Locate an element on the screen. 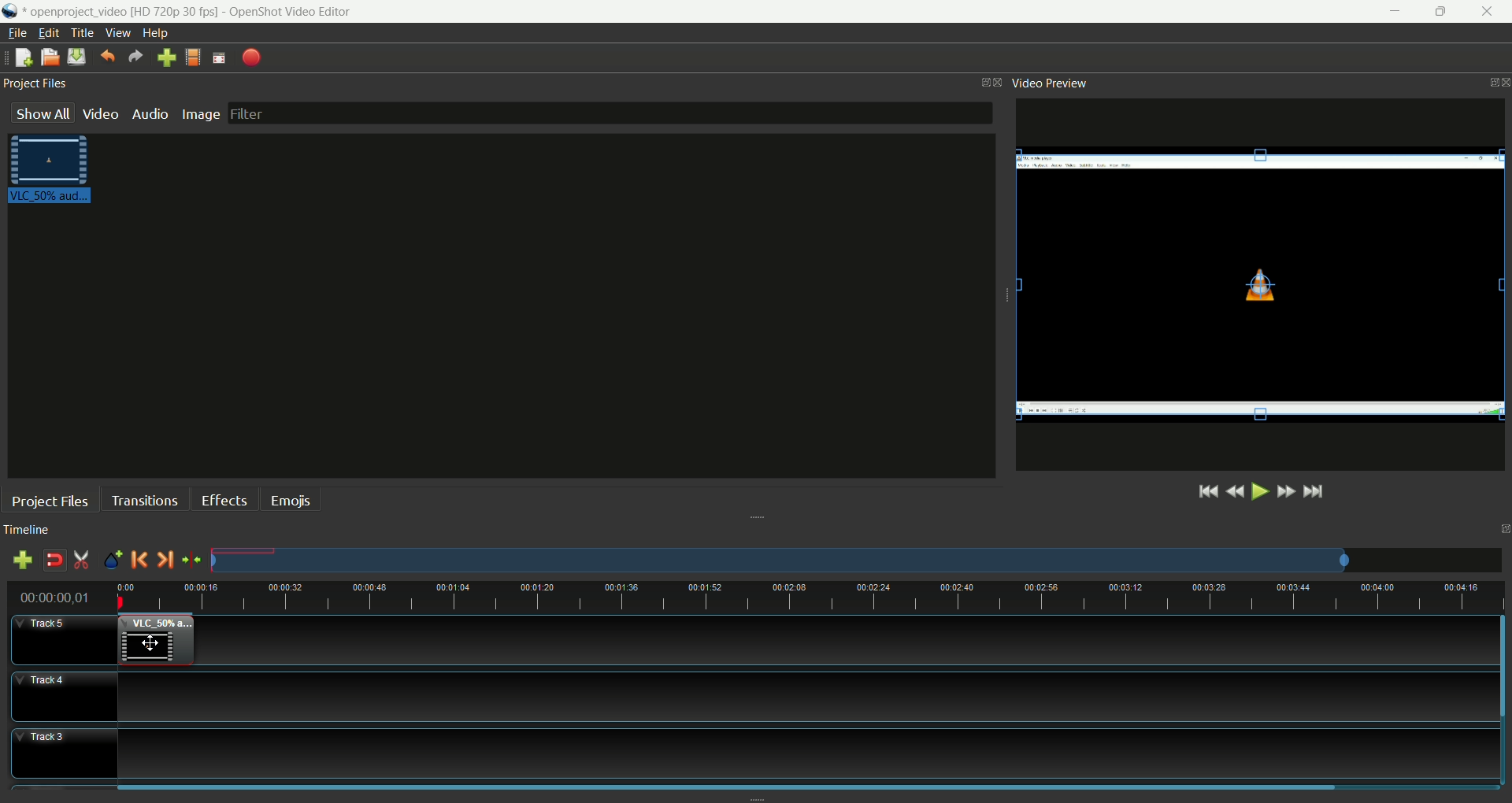  add track is located at coordinates (23, 560).